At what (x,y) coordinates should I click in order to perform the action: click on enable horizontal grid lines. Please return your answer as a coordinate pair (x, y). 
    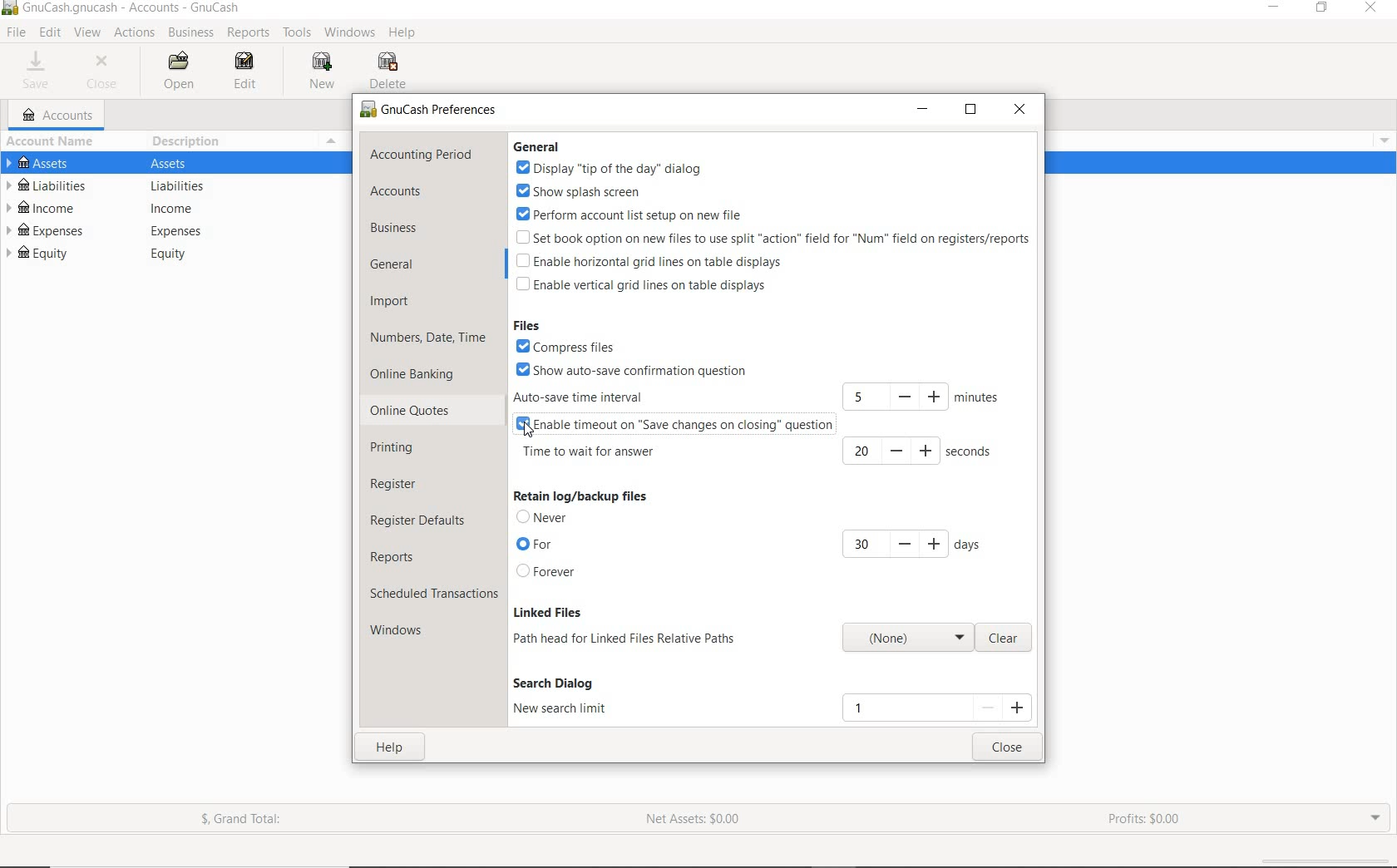
    Looking at the image, I should click on (650, 261).